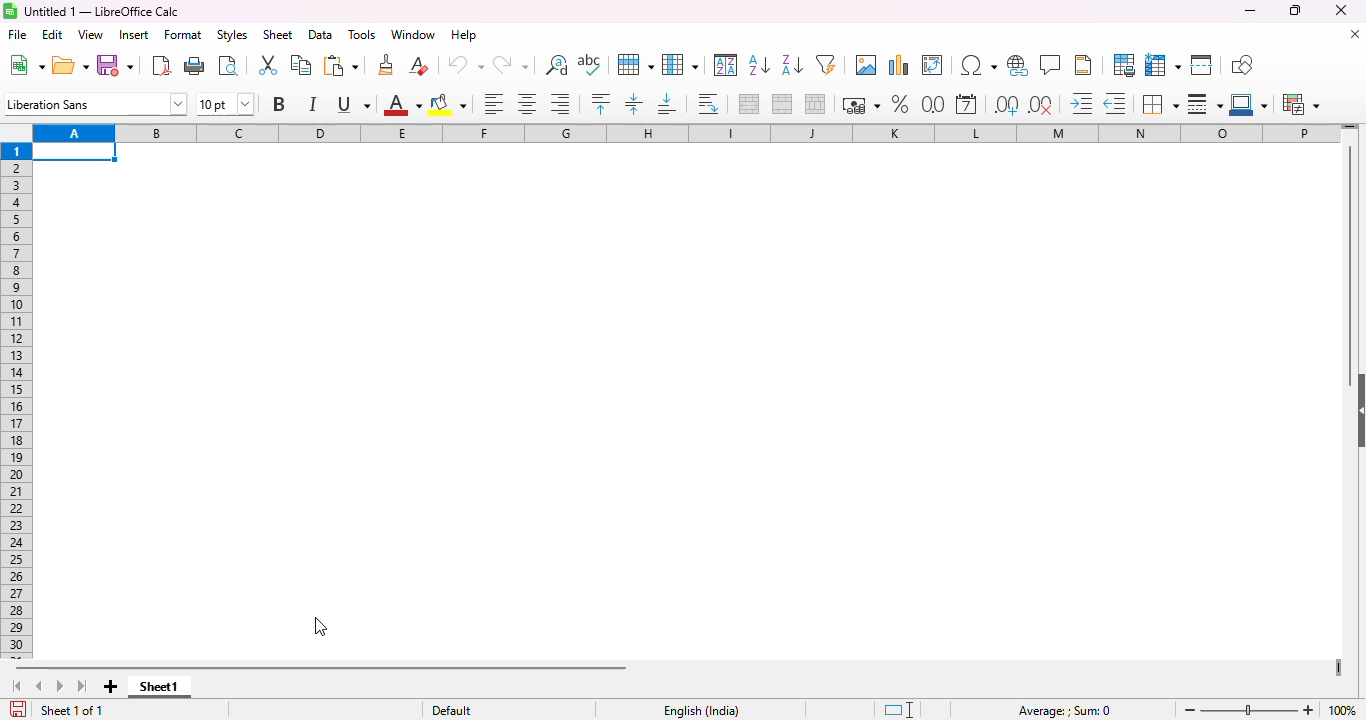 The image size is (1366, 720). What do you see at coordinates (1350, 265) in the screenshot?
I see `vertical scroll bar` at bounding box center [1350, 265].